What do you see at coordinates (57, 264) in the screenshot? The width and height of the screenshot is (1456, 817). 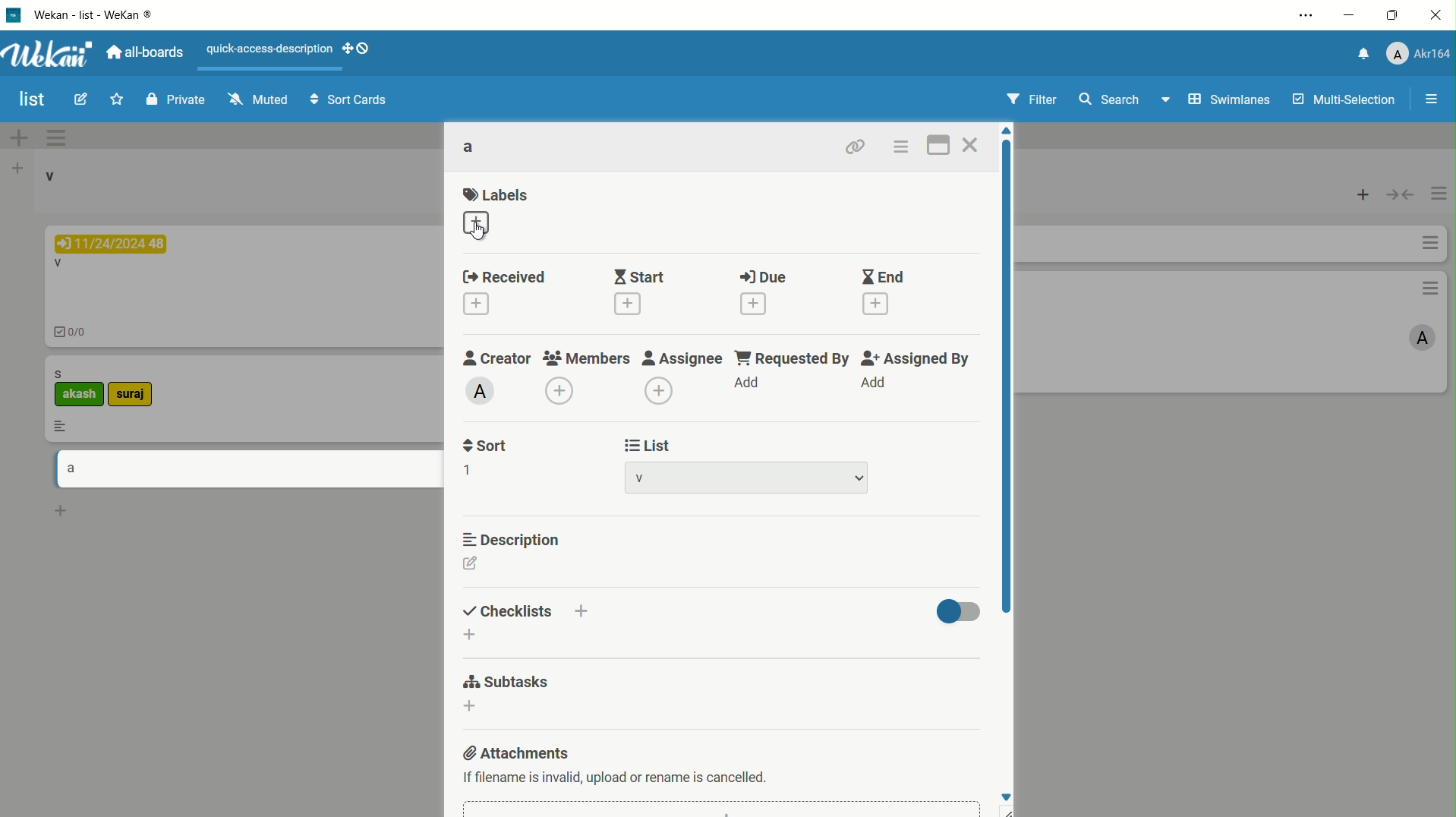 I see `V` at bounding box center [57, 264].